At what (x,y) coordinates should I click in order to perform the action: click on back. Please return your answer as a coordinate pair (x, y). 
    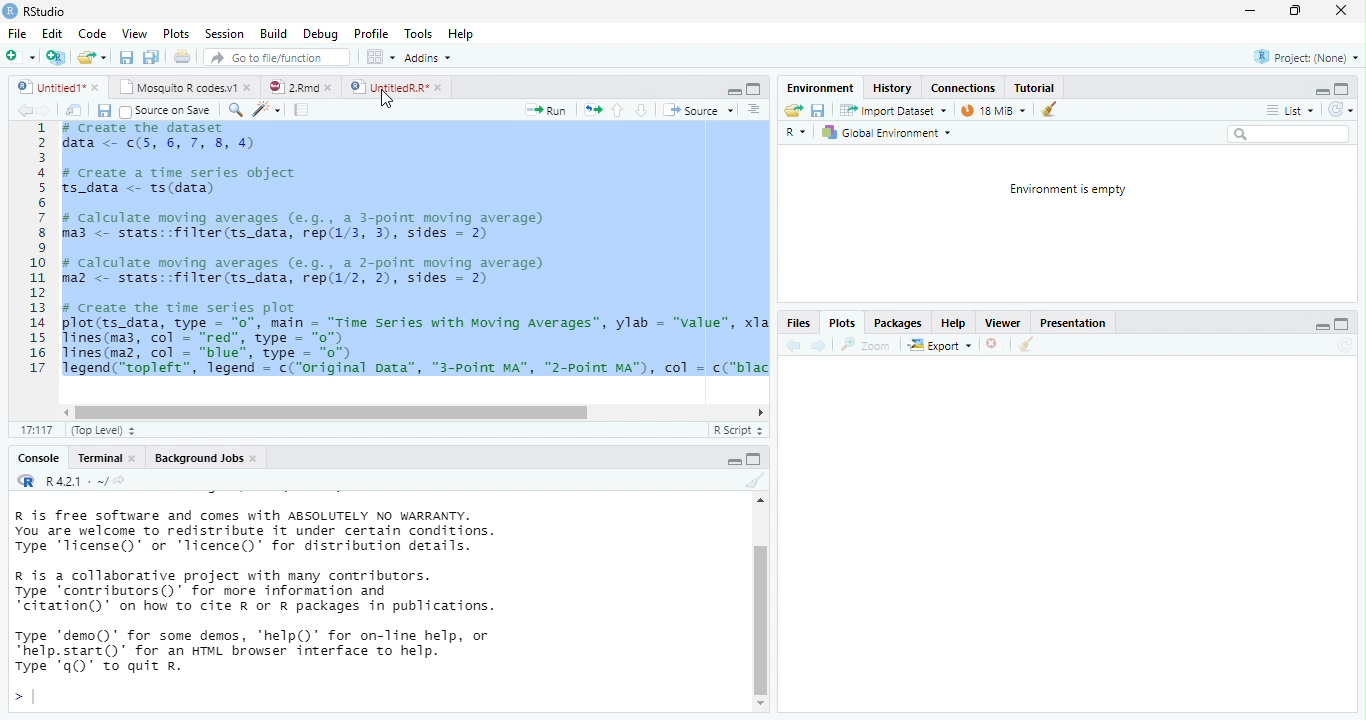
    Looking at the image, I should click on (791, 345).